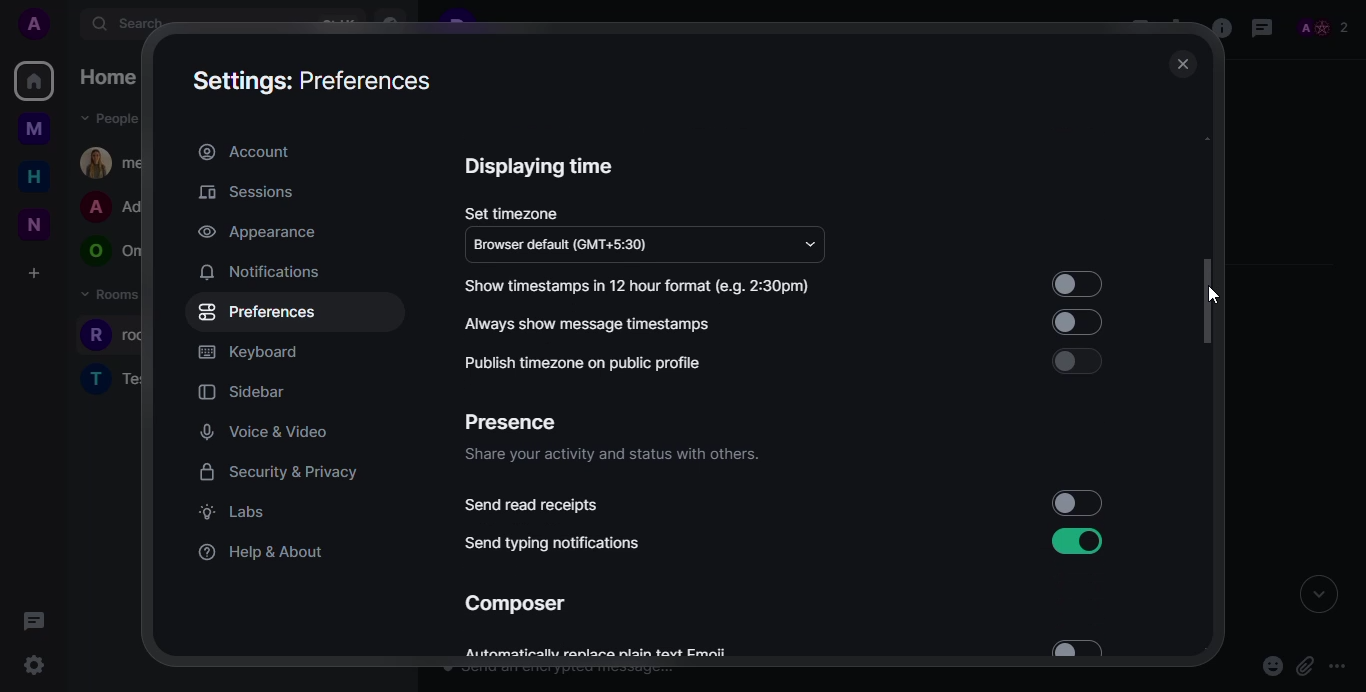  I want to click on settings preferences, so click(315, 82).